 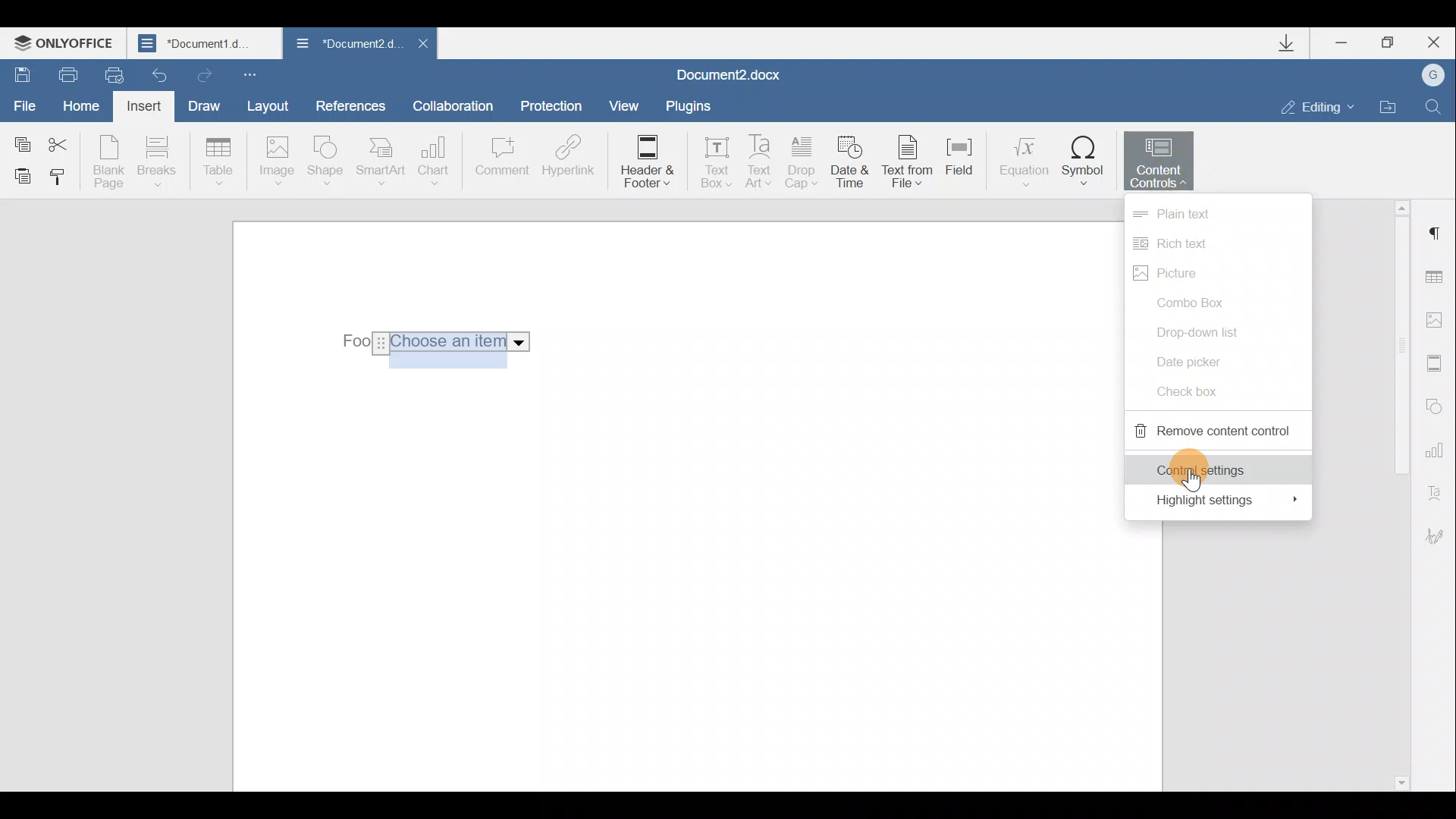 I want to click on Downloads, so click(x=1292, y=43).